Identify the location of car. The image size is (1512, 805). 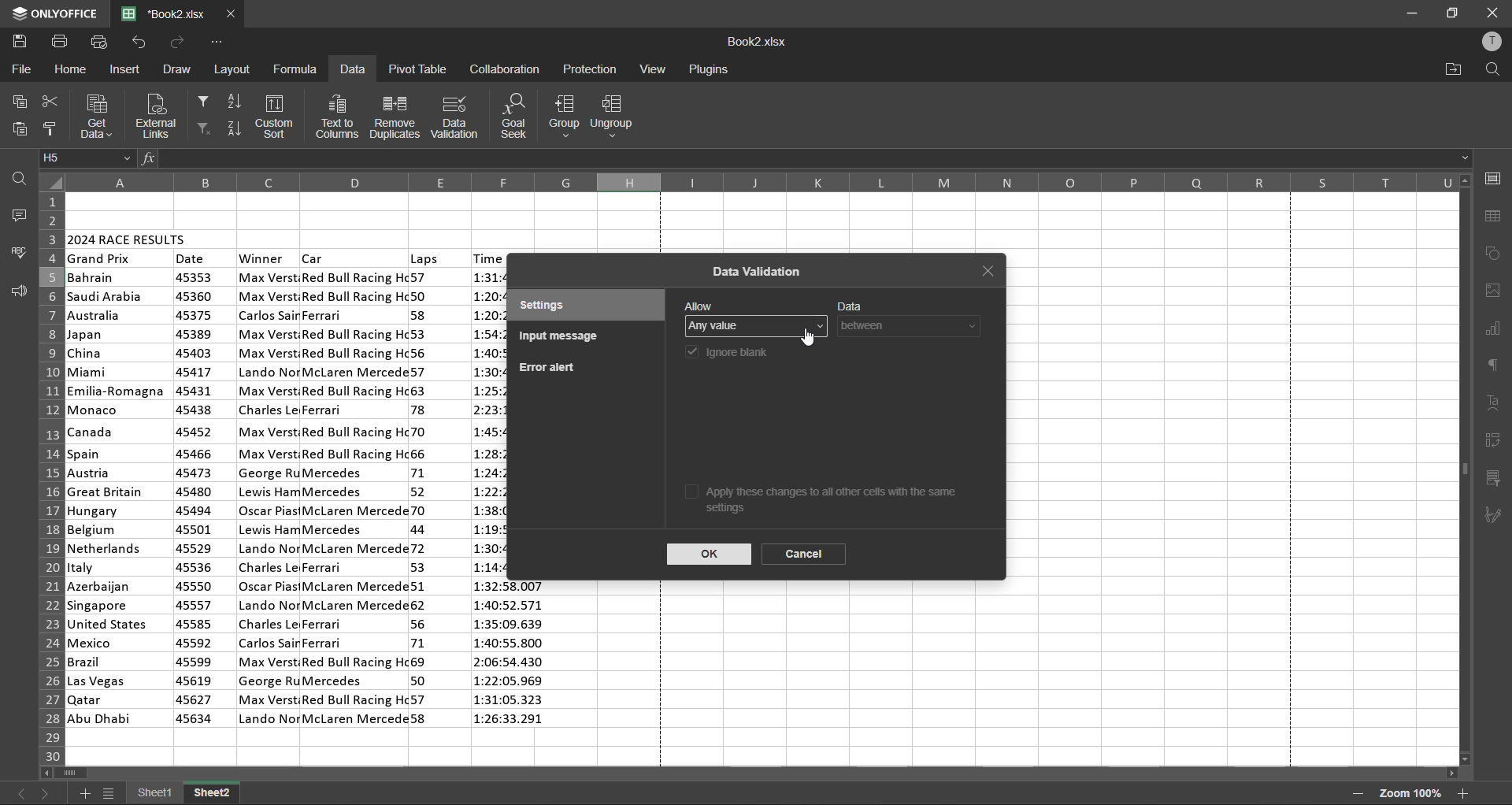
(354, 497).